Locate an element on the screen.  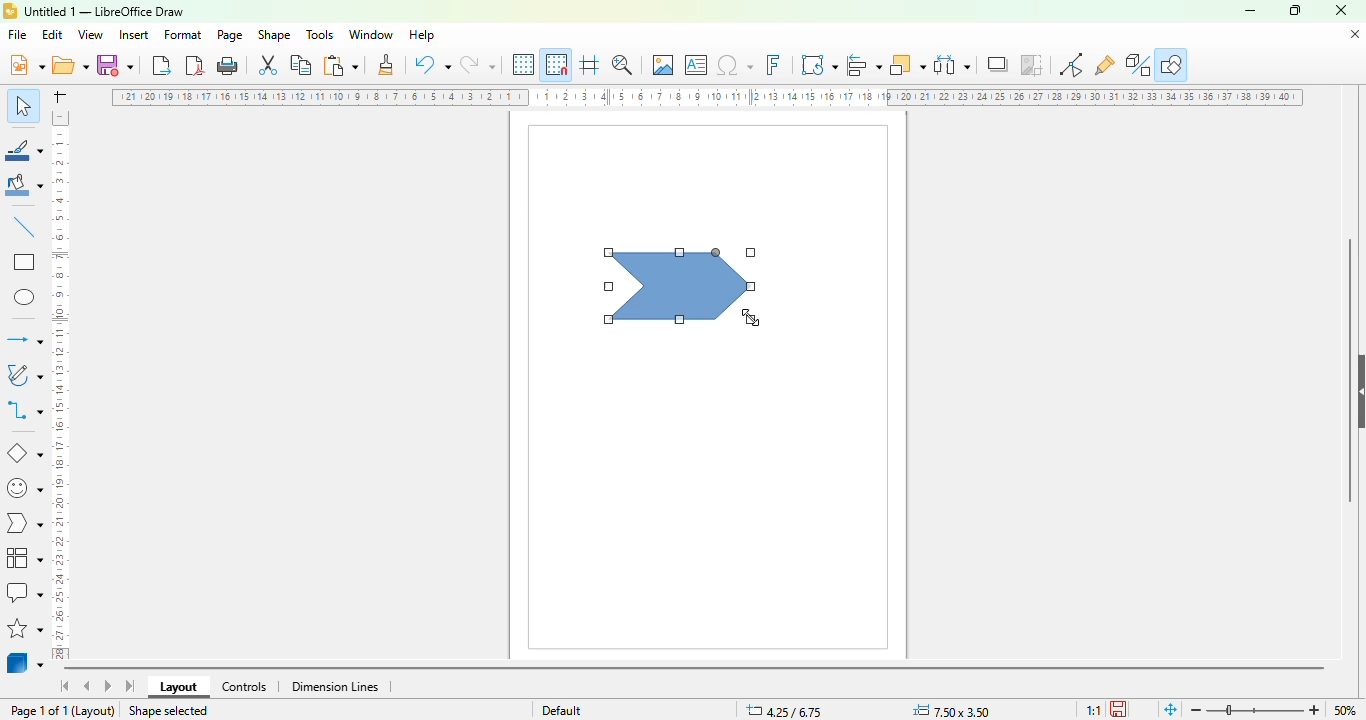
show draw functions is located at coordinates (1172, 64).